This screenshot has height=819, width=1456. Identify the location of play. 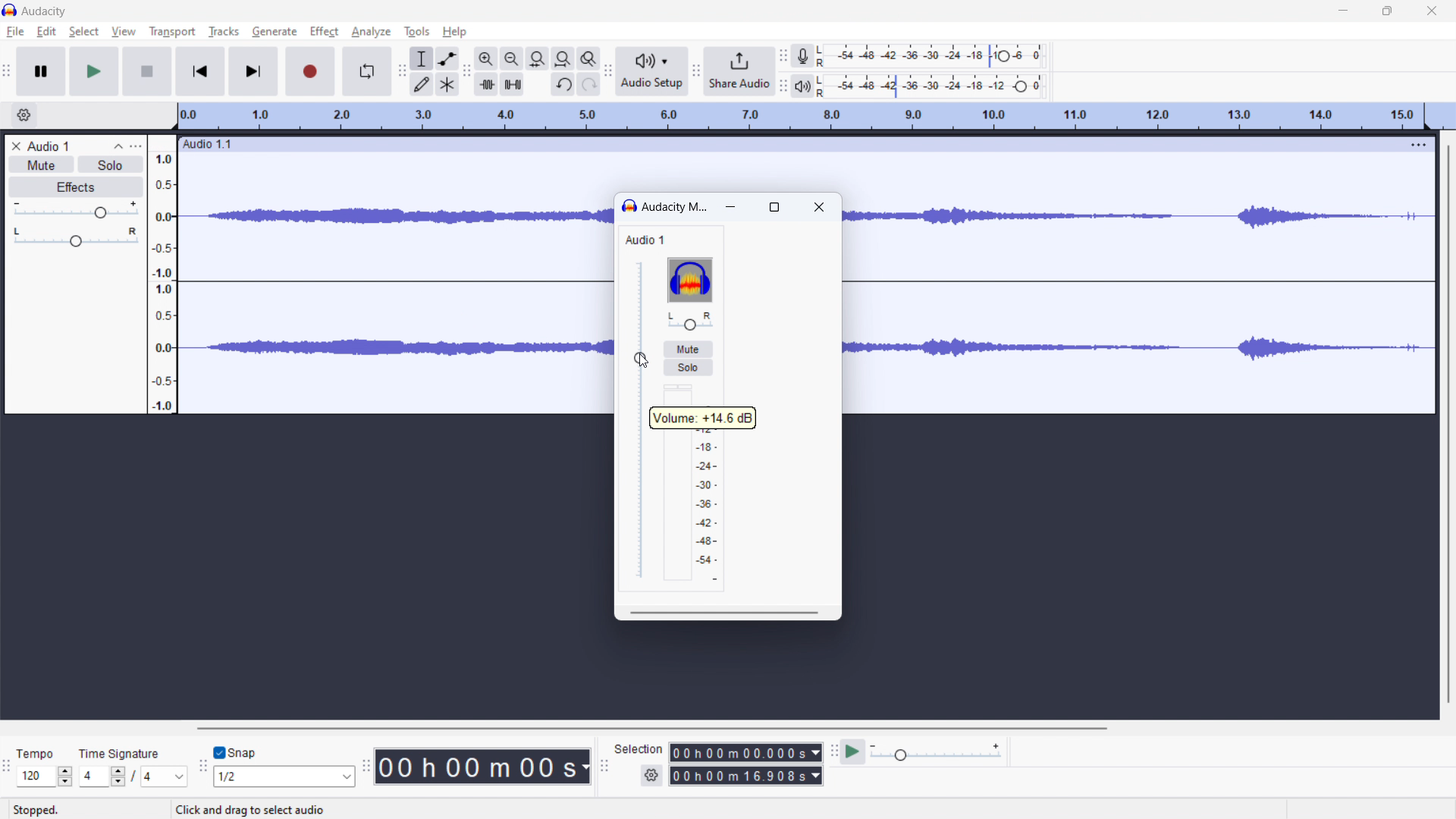
(94, 71).